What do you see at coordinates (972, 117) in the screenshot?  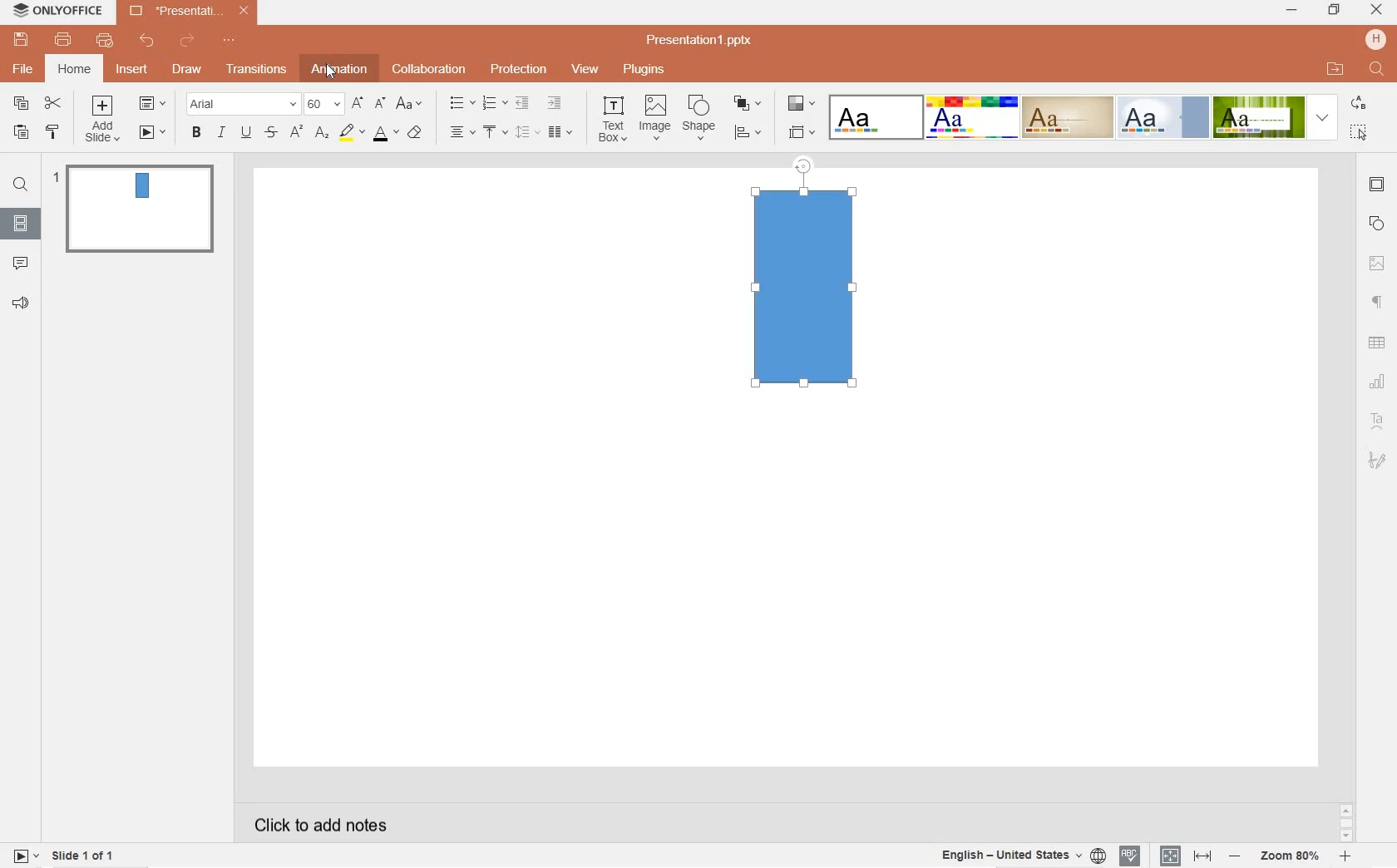 I see `Basic` at bounding box center [972, 117].